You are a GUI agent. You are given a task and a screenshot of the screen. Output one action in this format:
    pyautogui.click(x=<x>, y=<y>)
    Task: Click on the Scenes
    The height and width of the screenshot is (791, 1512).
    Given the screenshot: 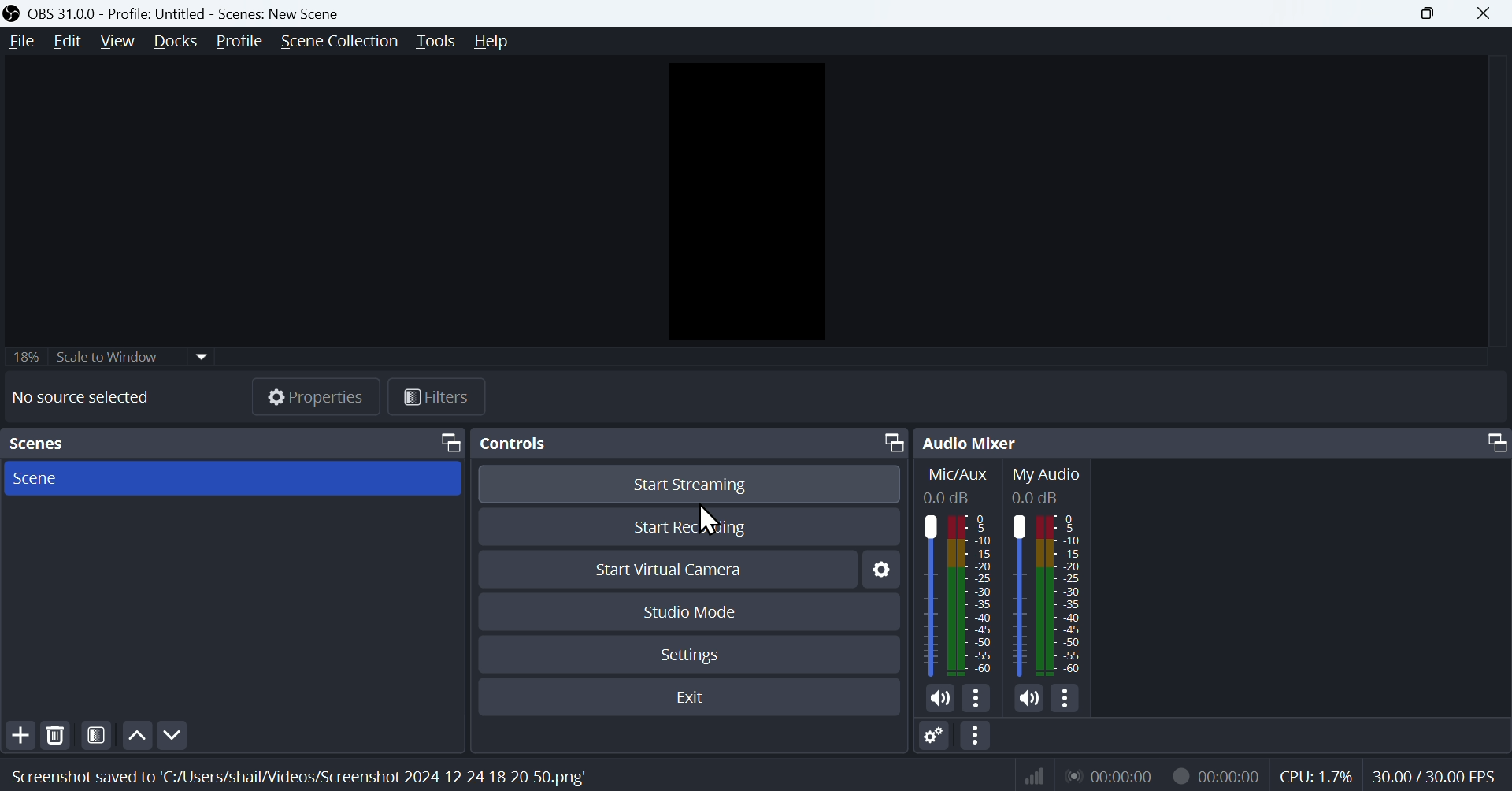 What is the action you would take?
    pyautogui.click(x=58, y=443)
    